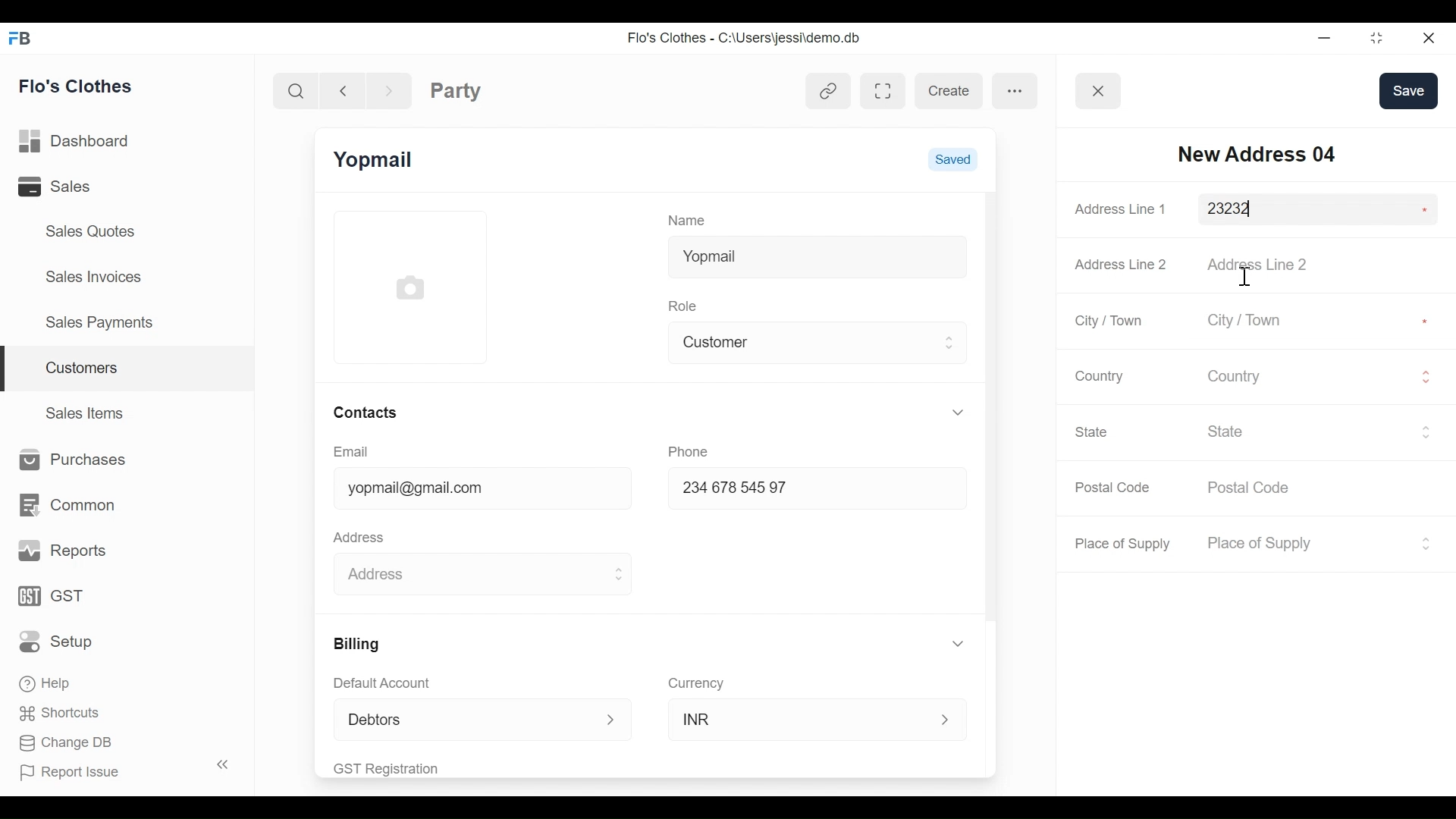 The height and width of the screenshot is (819, 1456). I want to click on Toggle between form and full width view, so click(883, 91).